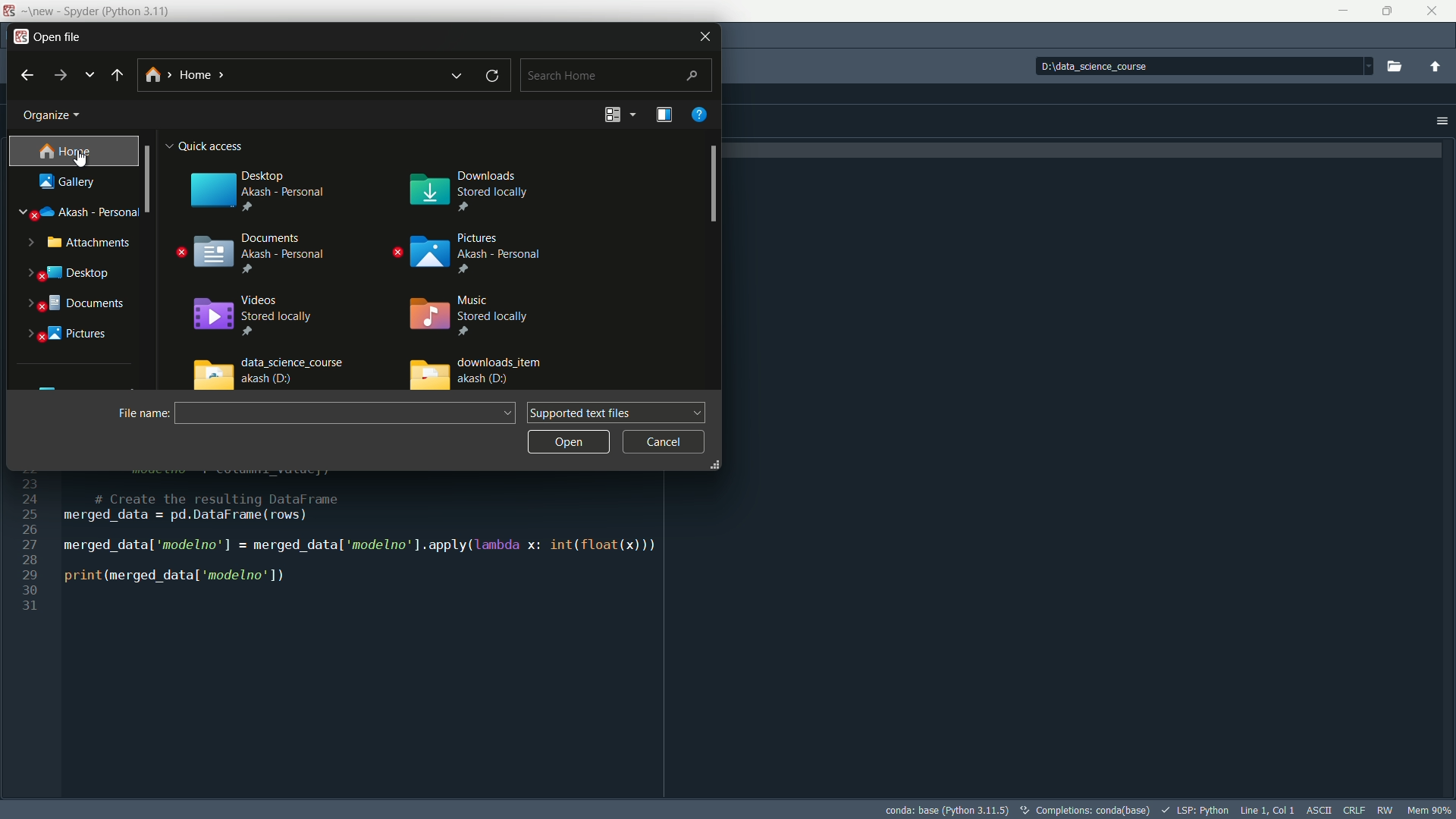 This screenshot has height=819, width=1456. What do you see at coordinates (80, 158) in the screenshot?
I see `cursor` at bounding box center [80, 158].